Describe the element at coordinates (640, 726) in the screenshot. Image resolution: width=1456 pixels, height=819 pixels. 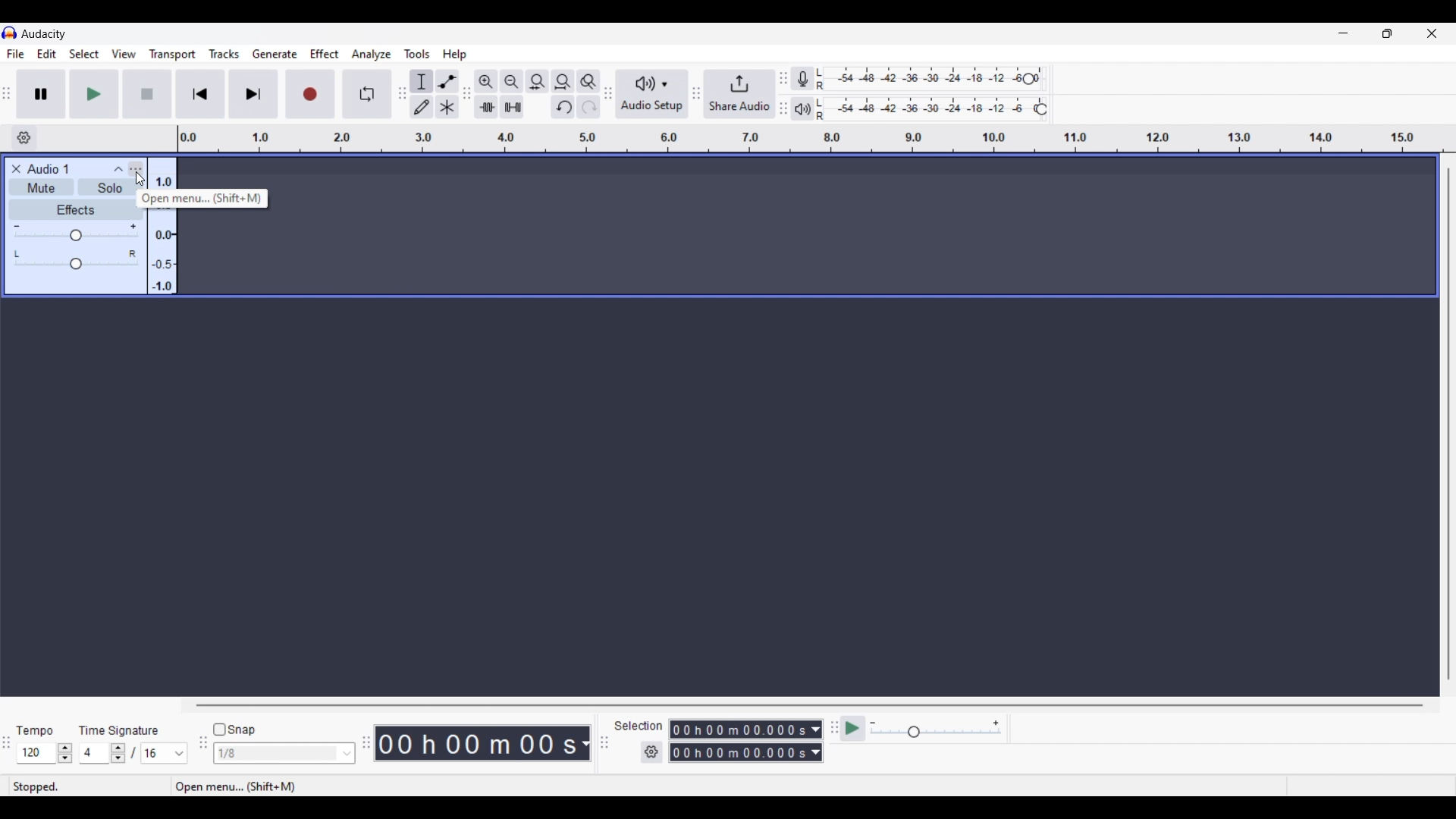
I see `Selection` at that location.